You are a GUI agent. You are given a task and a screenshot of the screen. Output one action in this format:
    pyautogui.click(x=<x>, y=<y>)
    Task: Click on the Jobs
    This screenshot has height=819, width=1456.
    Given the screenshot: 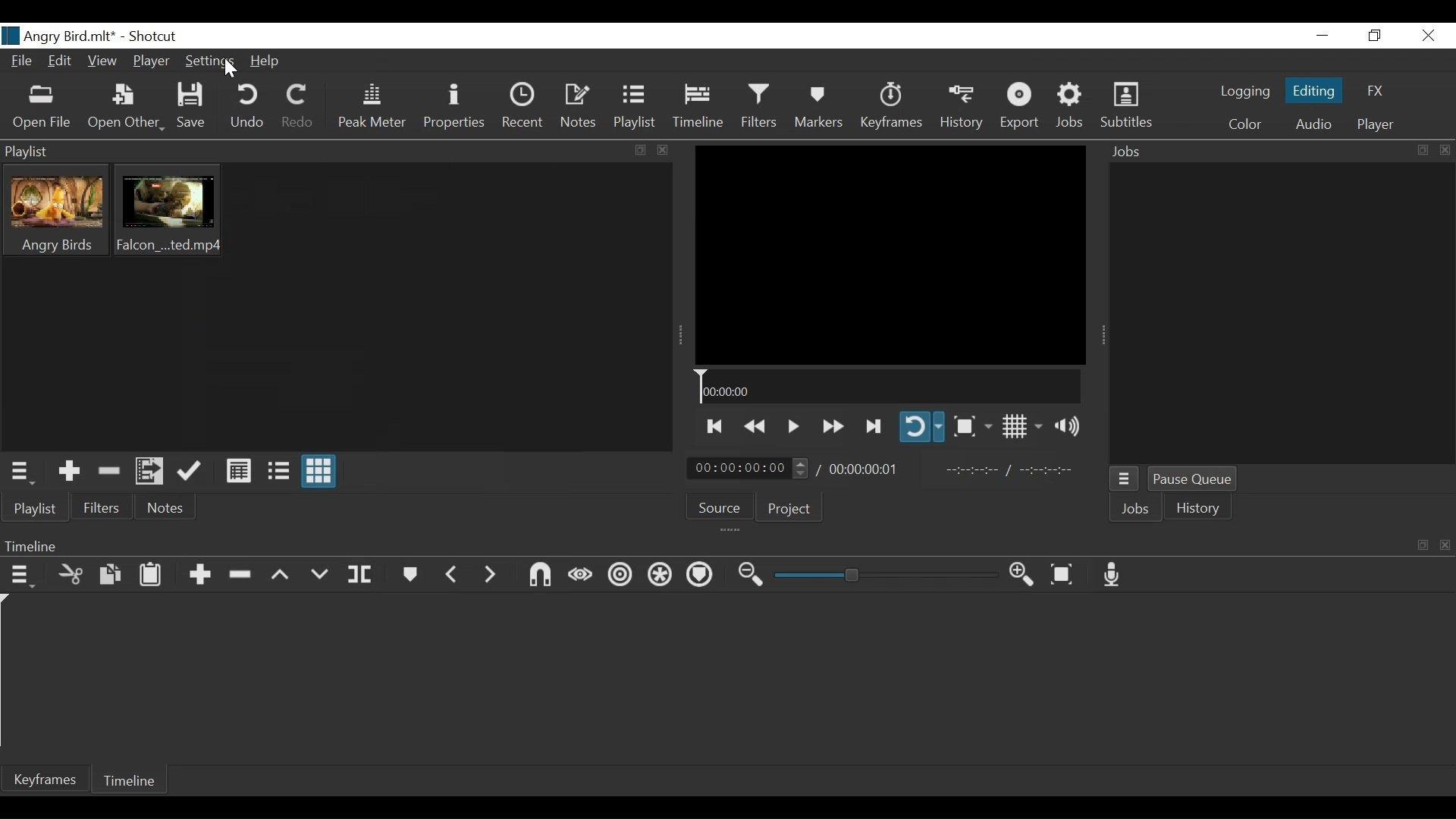 What is the action you would take?
    pyautogui.click(x=1136, y=509)
    